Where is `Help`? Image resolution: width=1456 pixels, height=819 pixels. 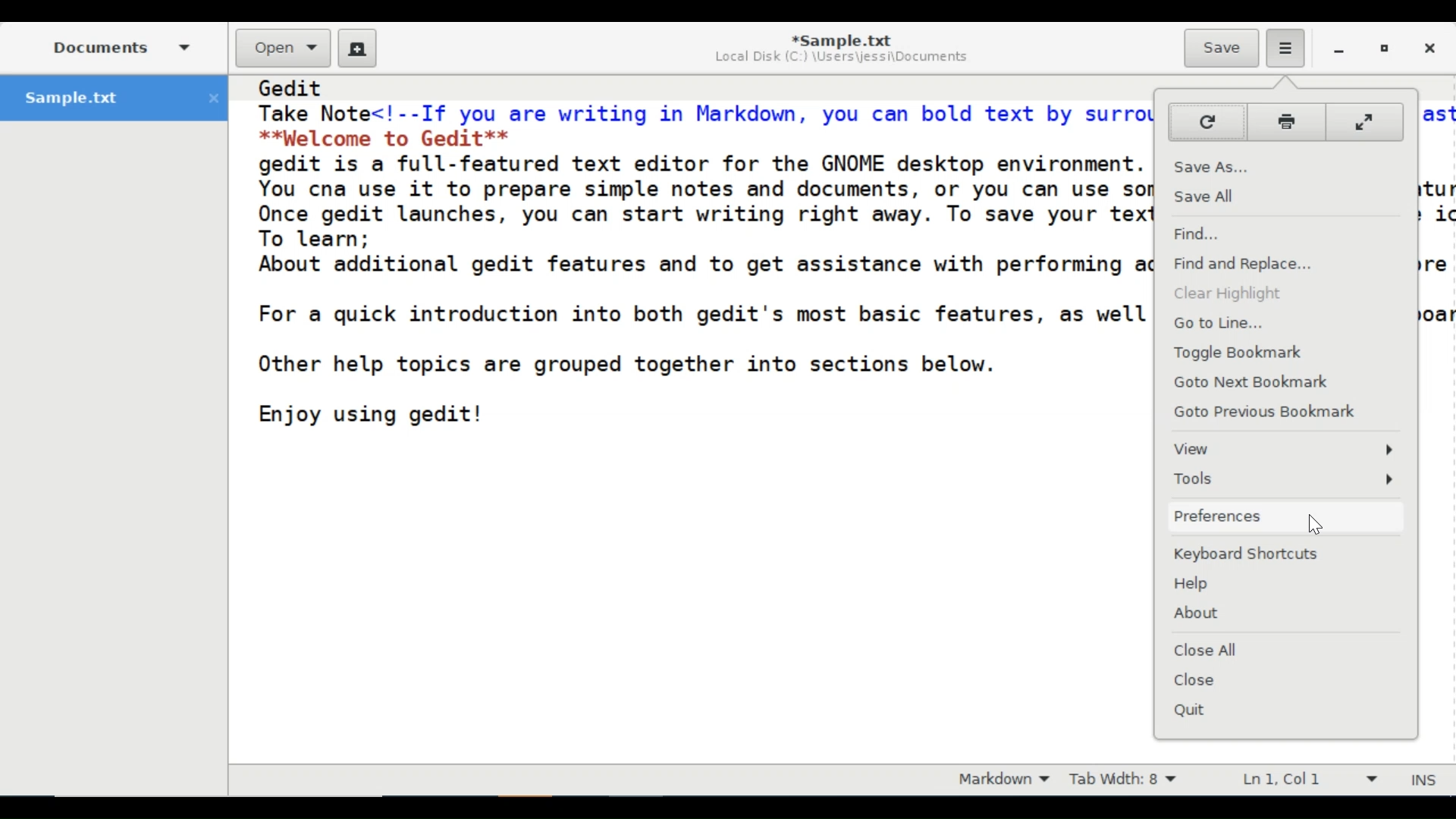 Help is located at coordinates (1196, 584).